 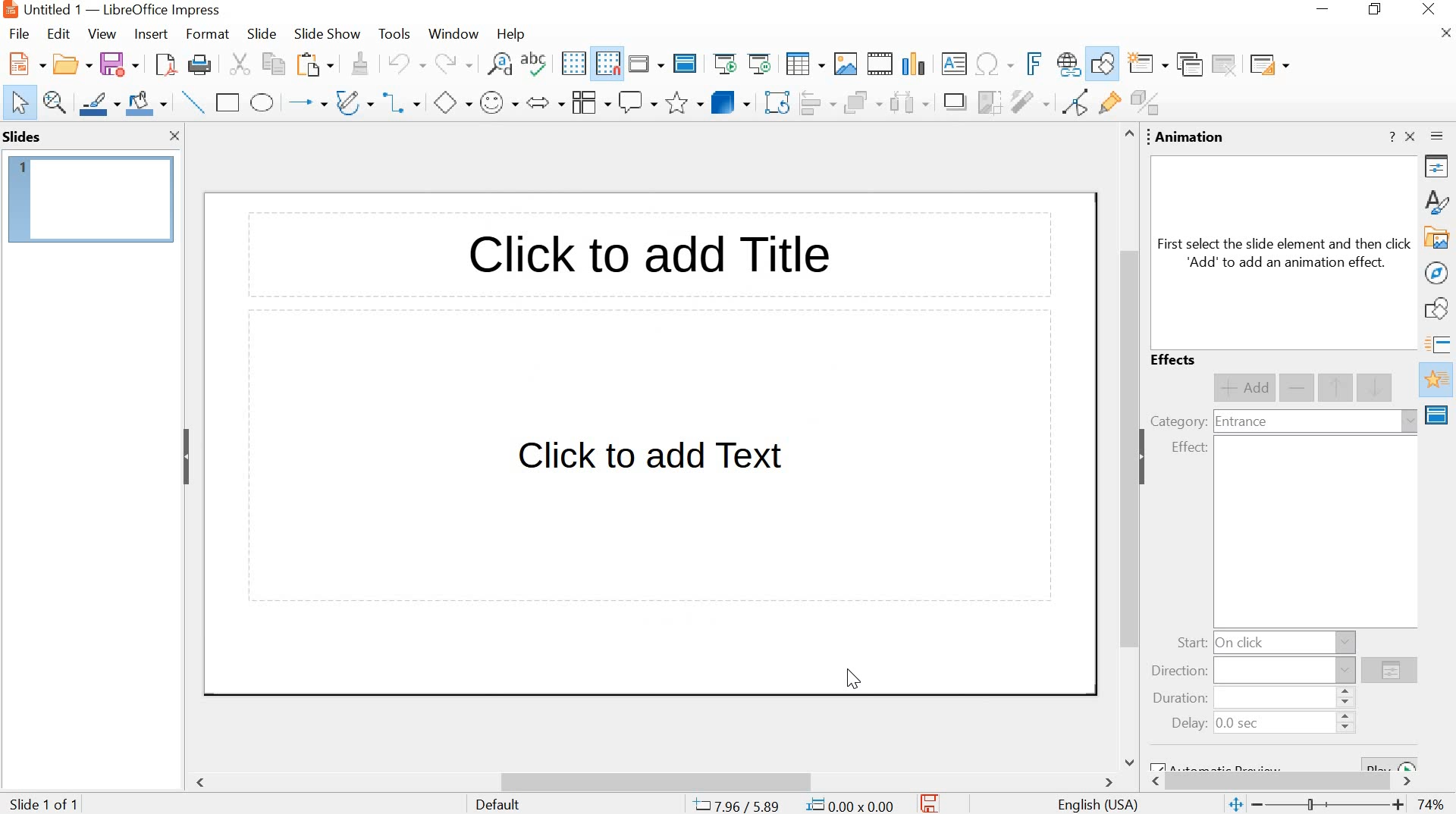 What do you see at coordinates (149, 34) in the screenshot?
I see `insert menu` at bounding box center [149, 34].